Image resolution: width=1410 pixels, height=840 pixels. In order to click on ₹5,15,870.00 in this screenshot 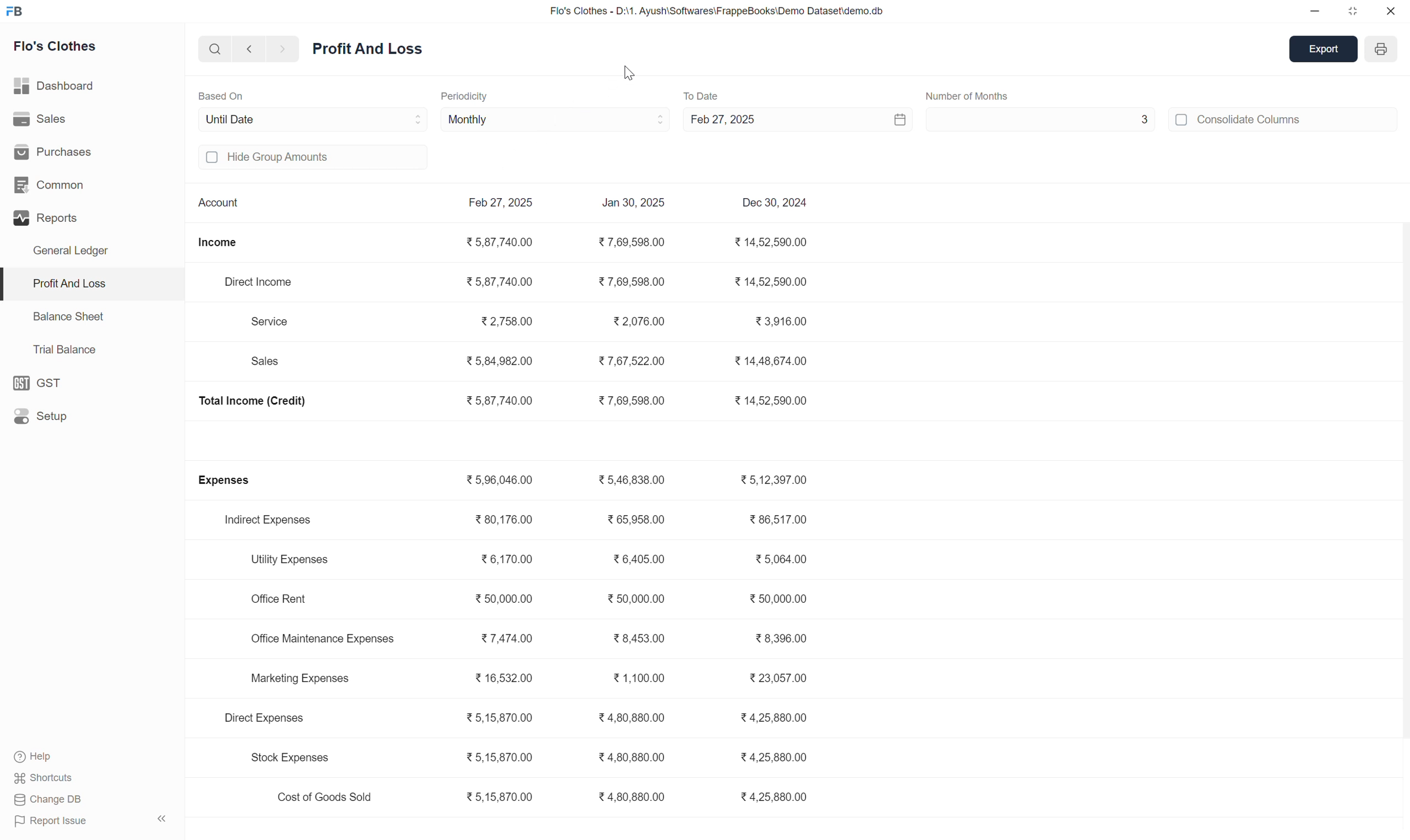, I will do `click(495, 717)`.